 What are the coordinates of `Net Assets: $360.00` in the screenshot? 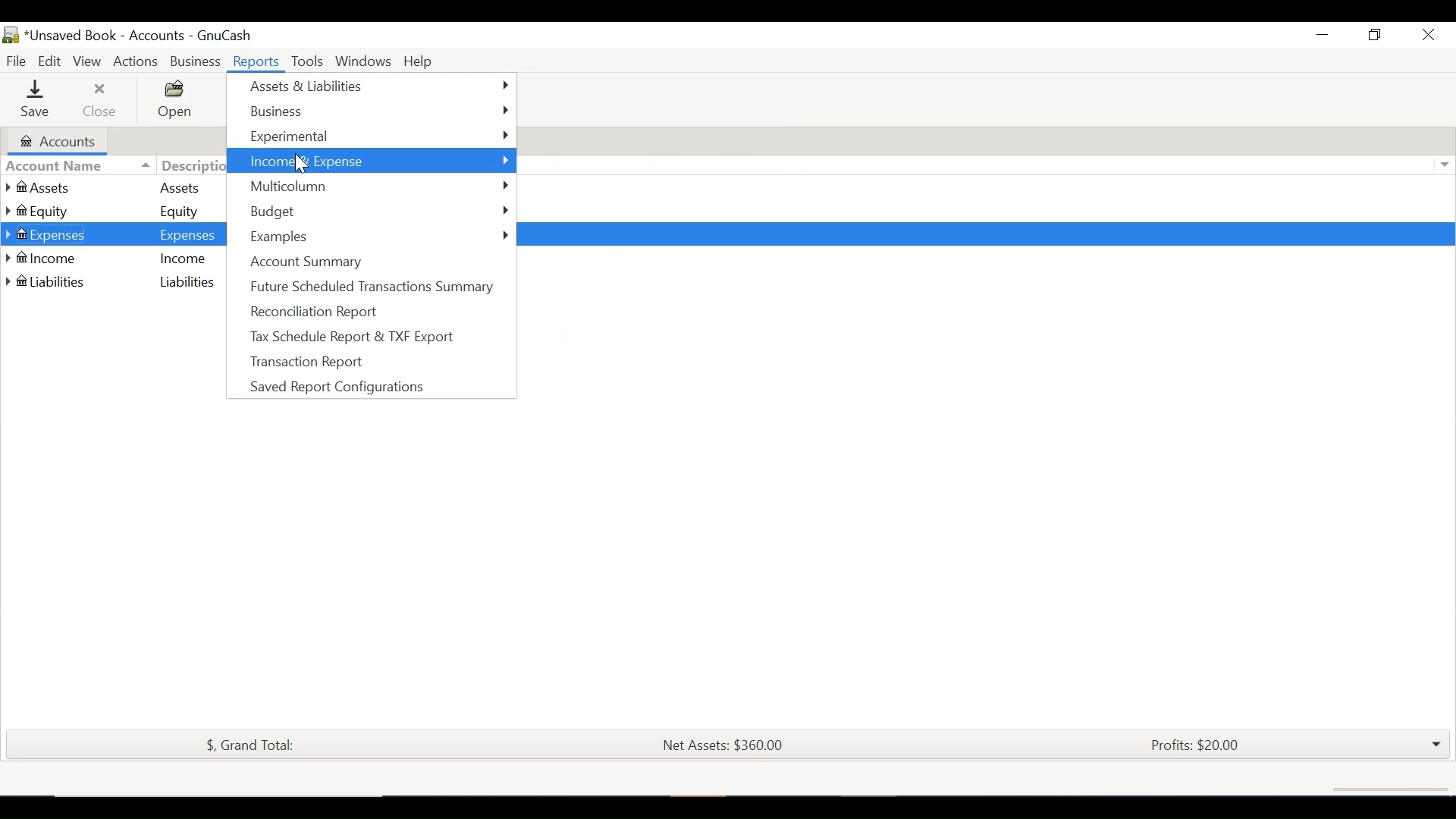 It's located at (726, 744).